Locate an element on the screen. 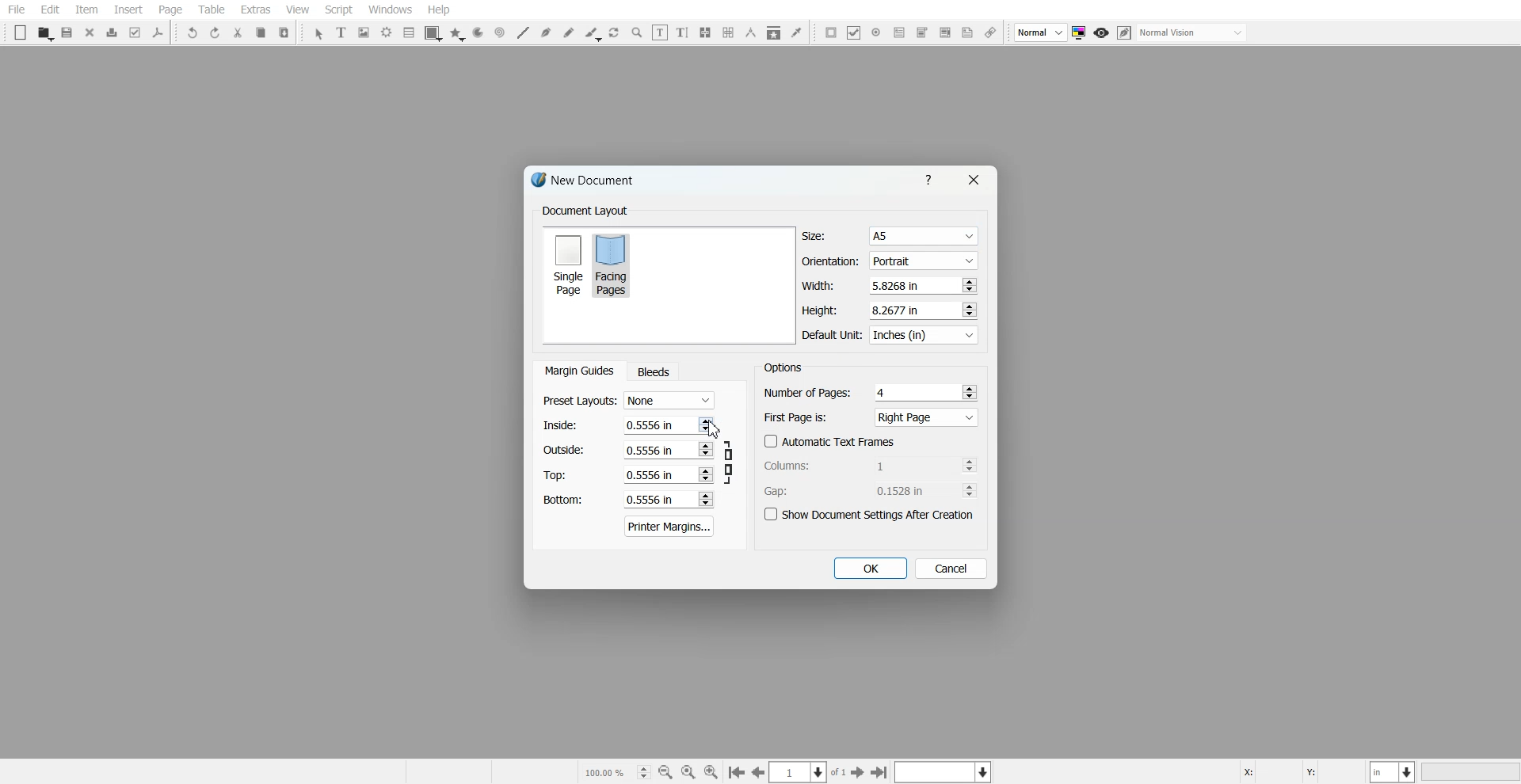 The image size is (1521, 784). Text Frame is located at coordinates (342, 32).